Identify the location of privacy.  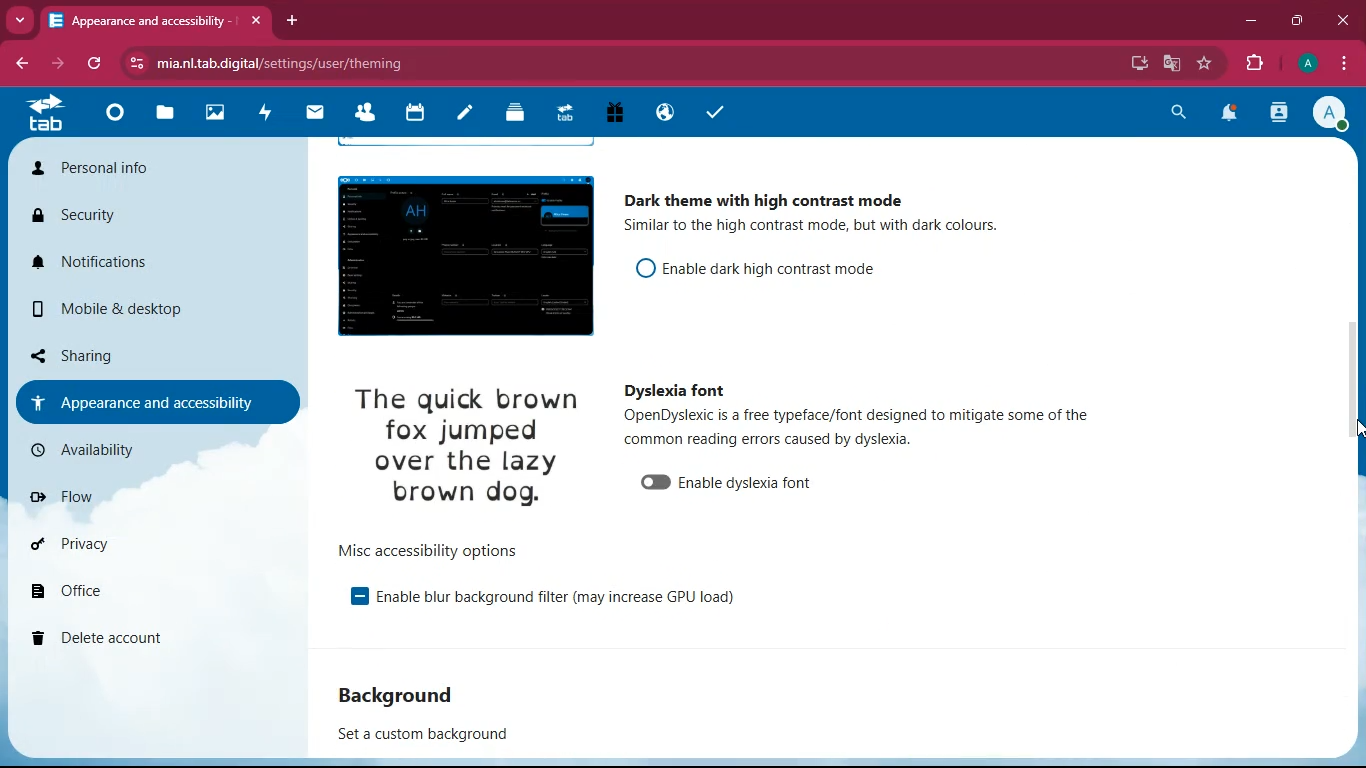
(141, 544).